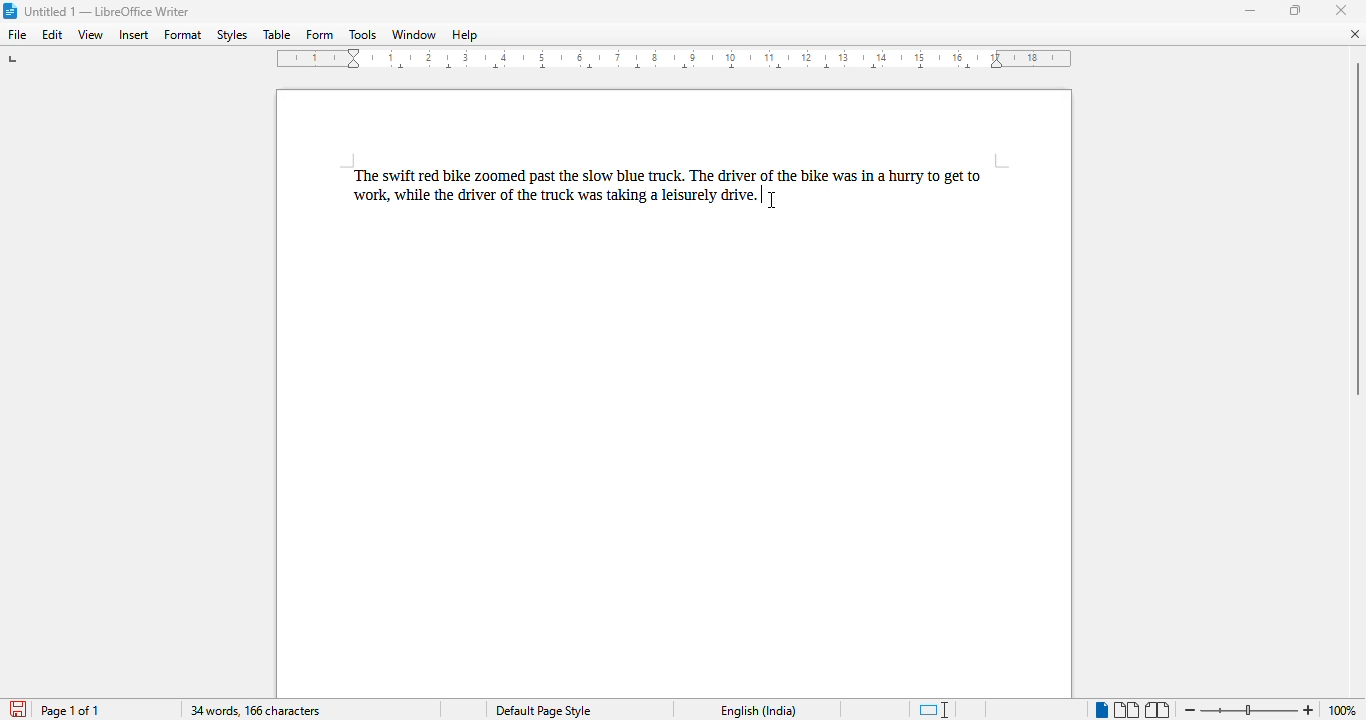  I want to click on single-page view, so click(1101, 710).